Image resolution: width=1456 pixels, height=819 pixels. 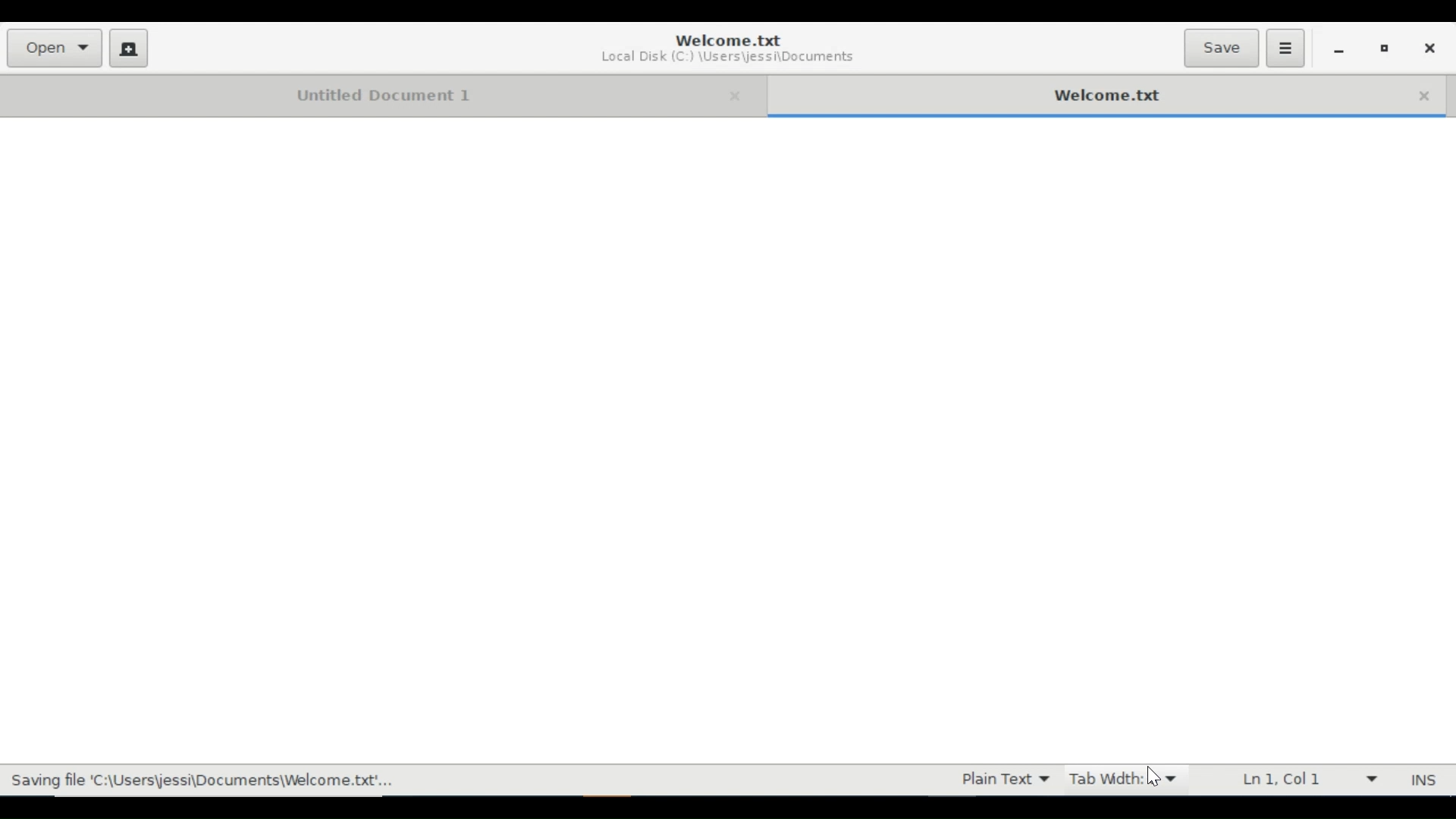 I want to click on Close, so click(x=733, y=94).